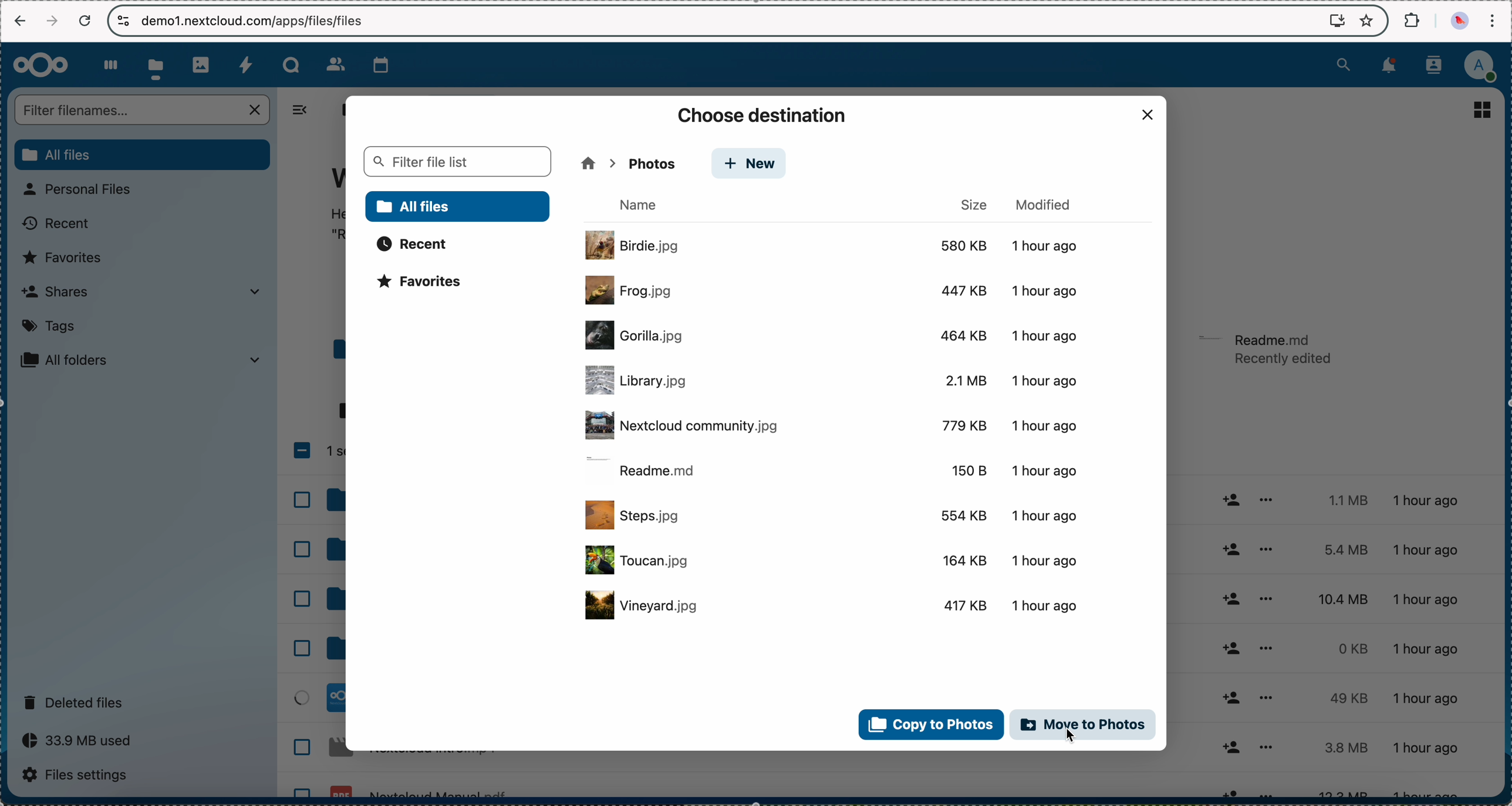  Describe the element at coordinates (1267, 350) in the screenshot. I see `file` at that location.